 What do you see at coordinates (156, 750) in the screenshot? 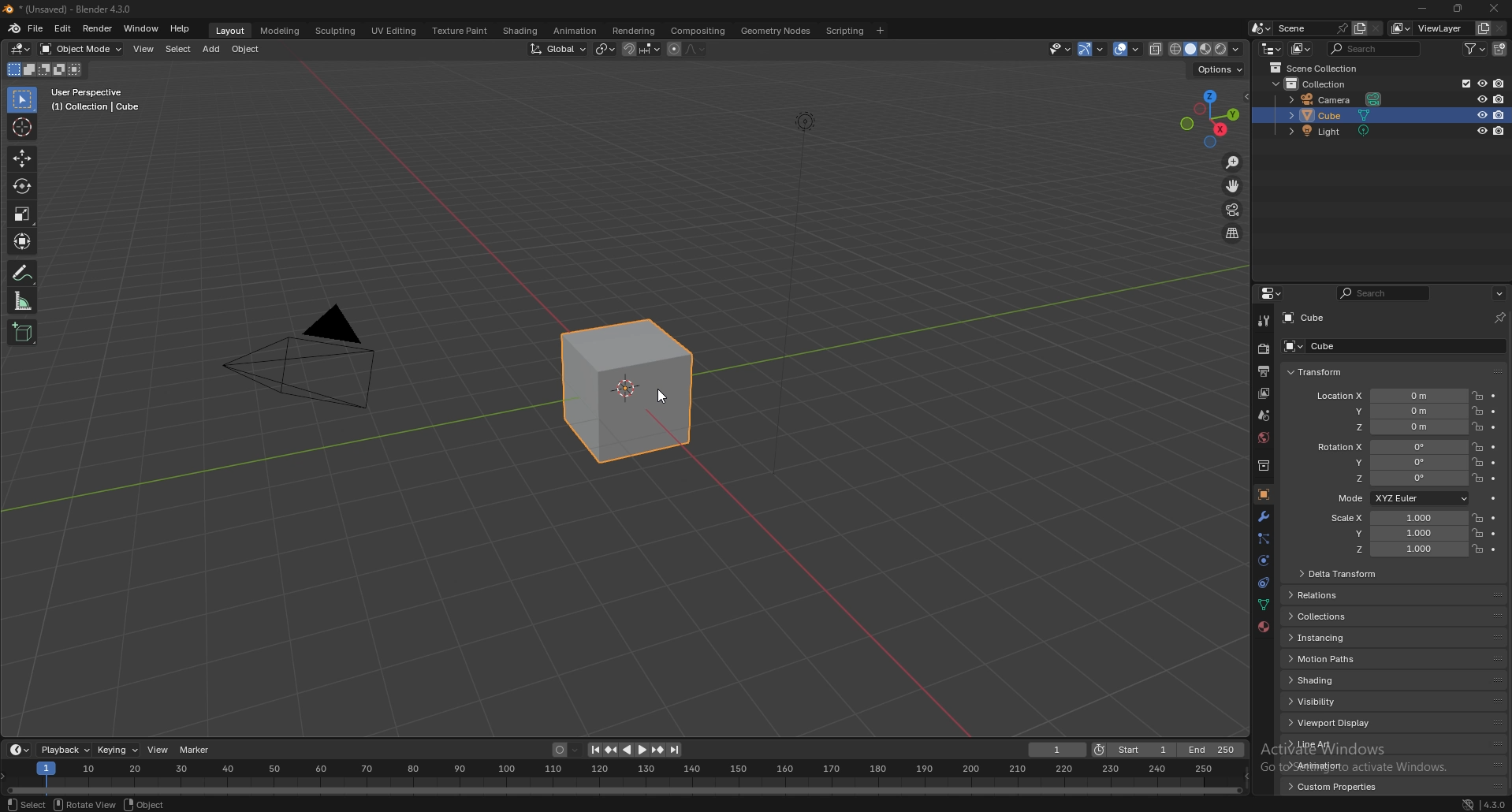
I see `view` at bounding box center [156, 750].